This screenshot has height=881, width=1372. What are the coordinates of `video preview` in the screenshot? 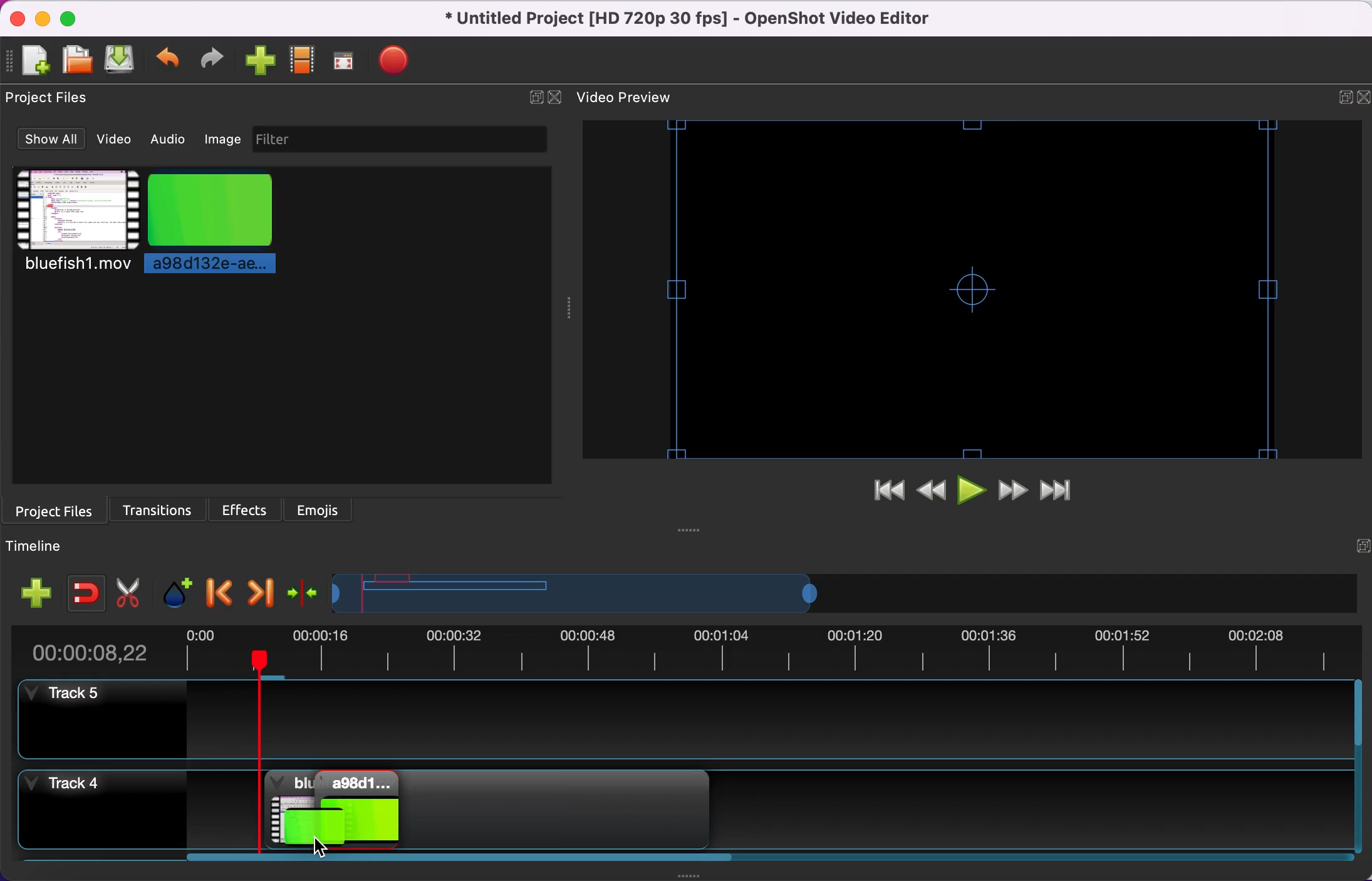 It's located at (979, 285).